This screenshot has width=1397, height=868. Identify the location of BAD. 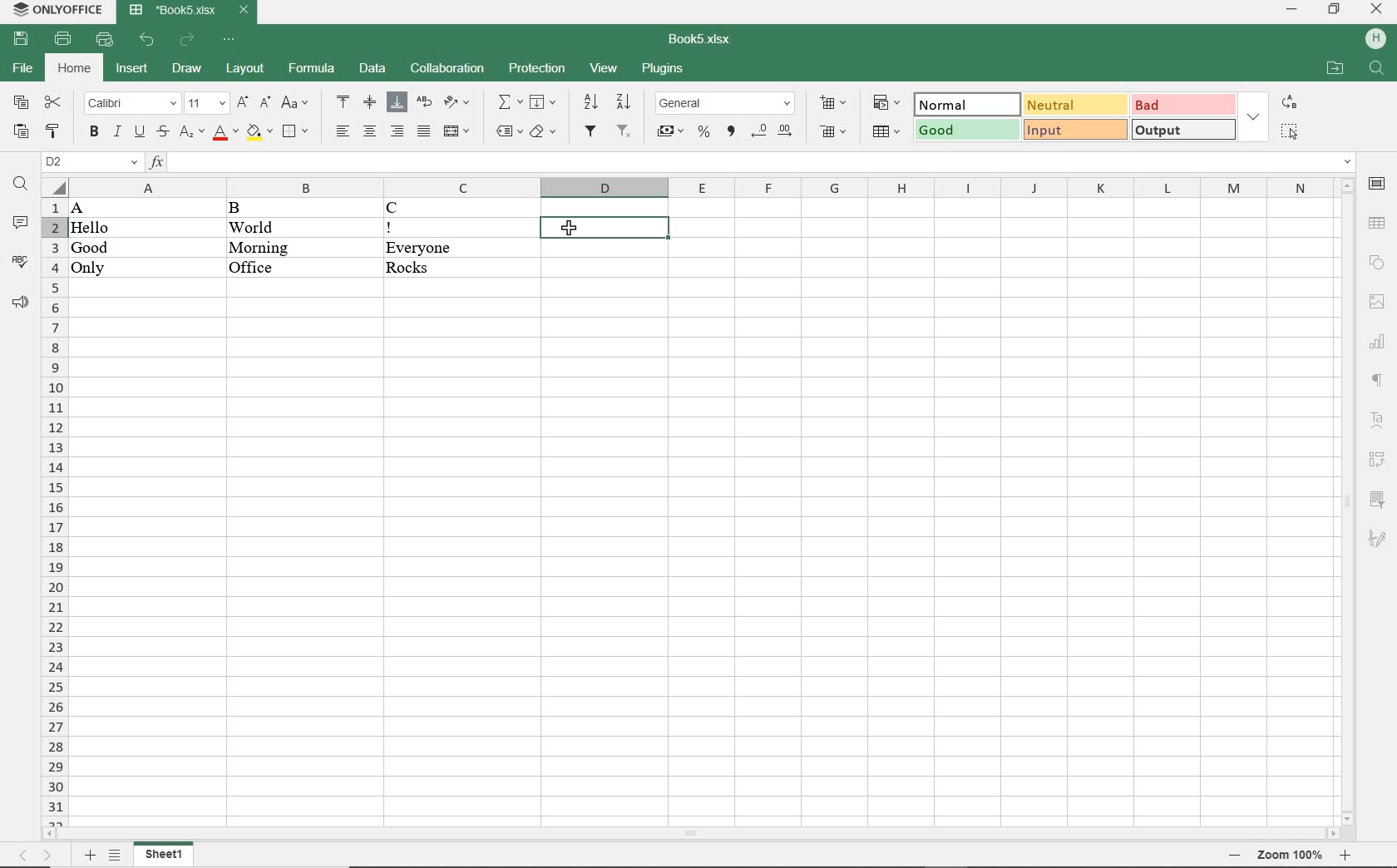
(1183, 106).